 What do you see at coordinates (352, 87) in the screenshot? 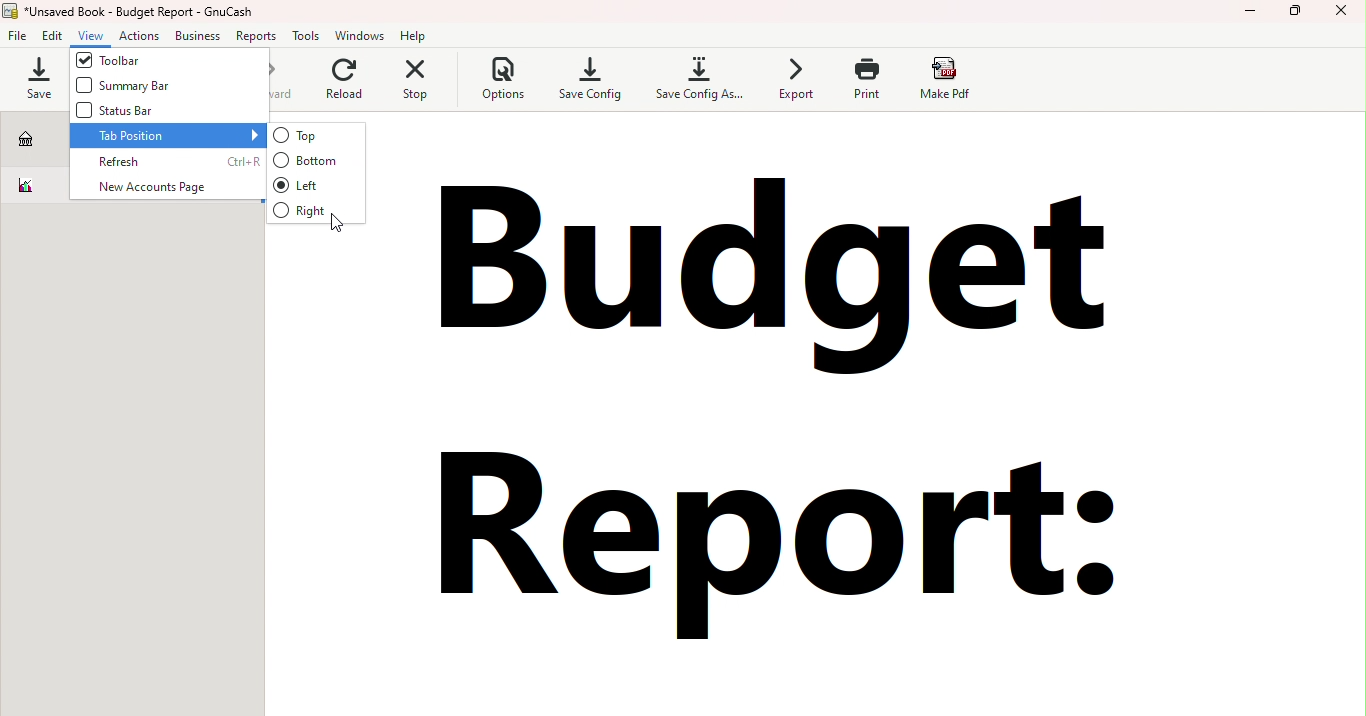
I see `Reload` at bounding box center [352, 87].